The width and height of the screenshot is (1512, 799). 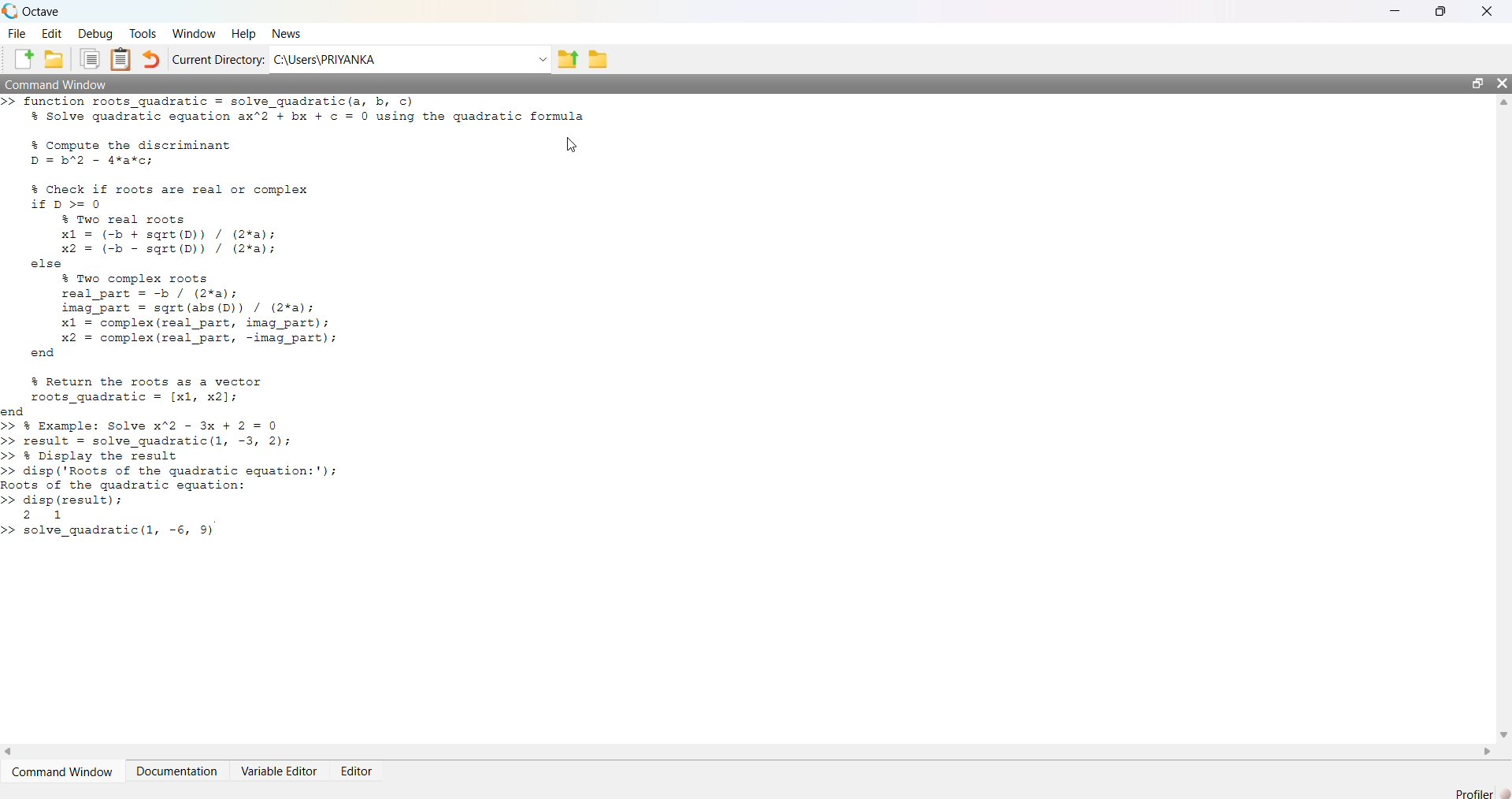 I want to click on Debug, so click(x=94, y=32).